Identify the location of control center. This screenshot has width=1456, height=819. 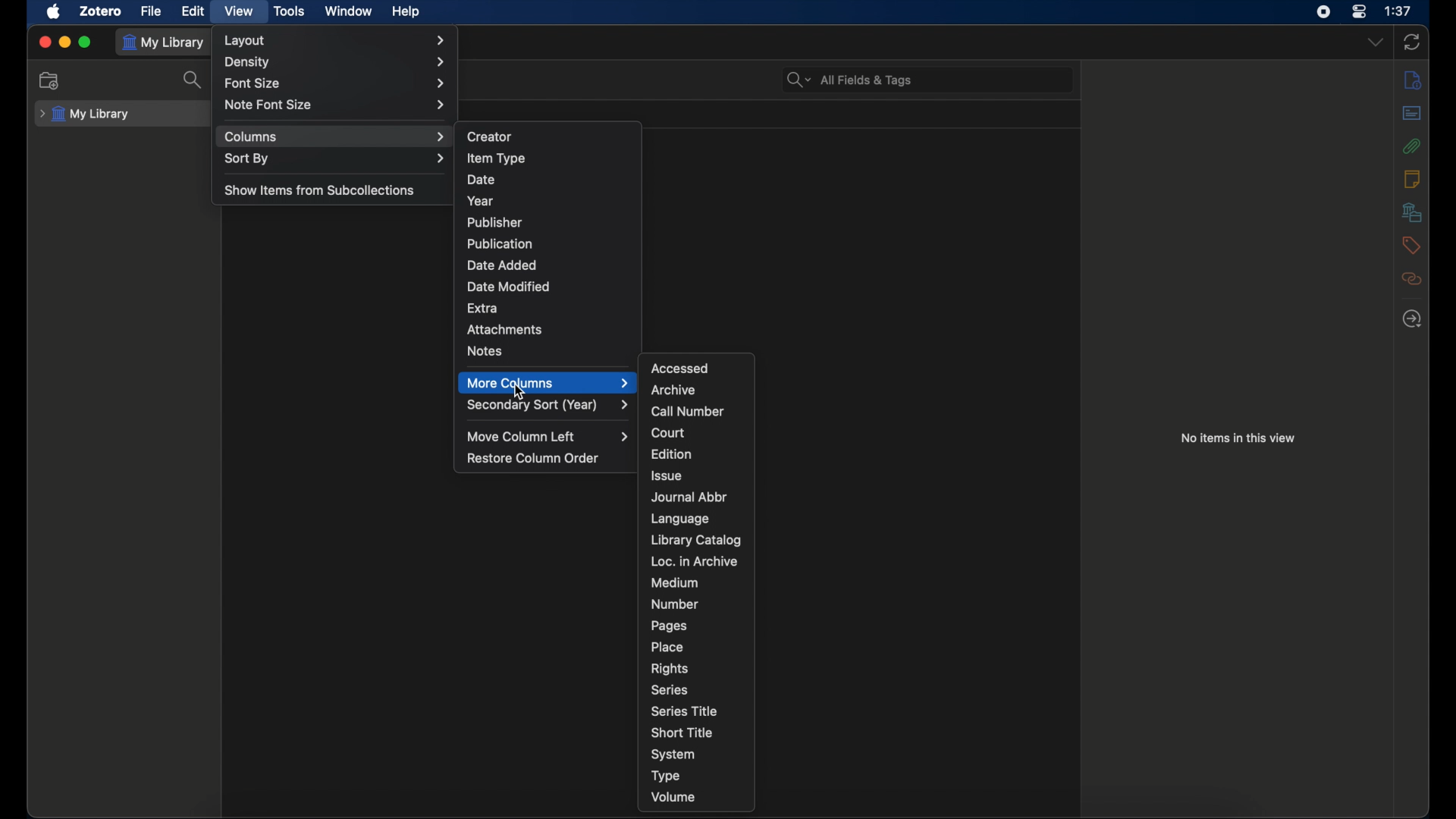
(1359, 11).